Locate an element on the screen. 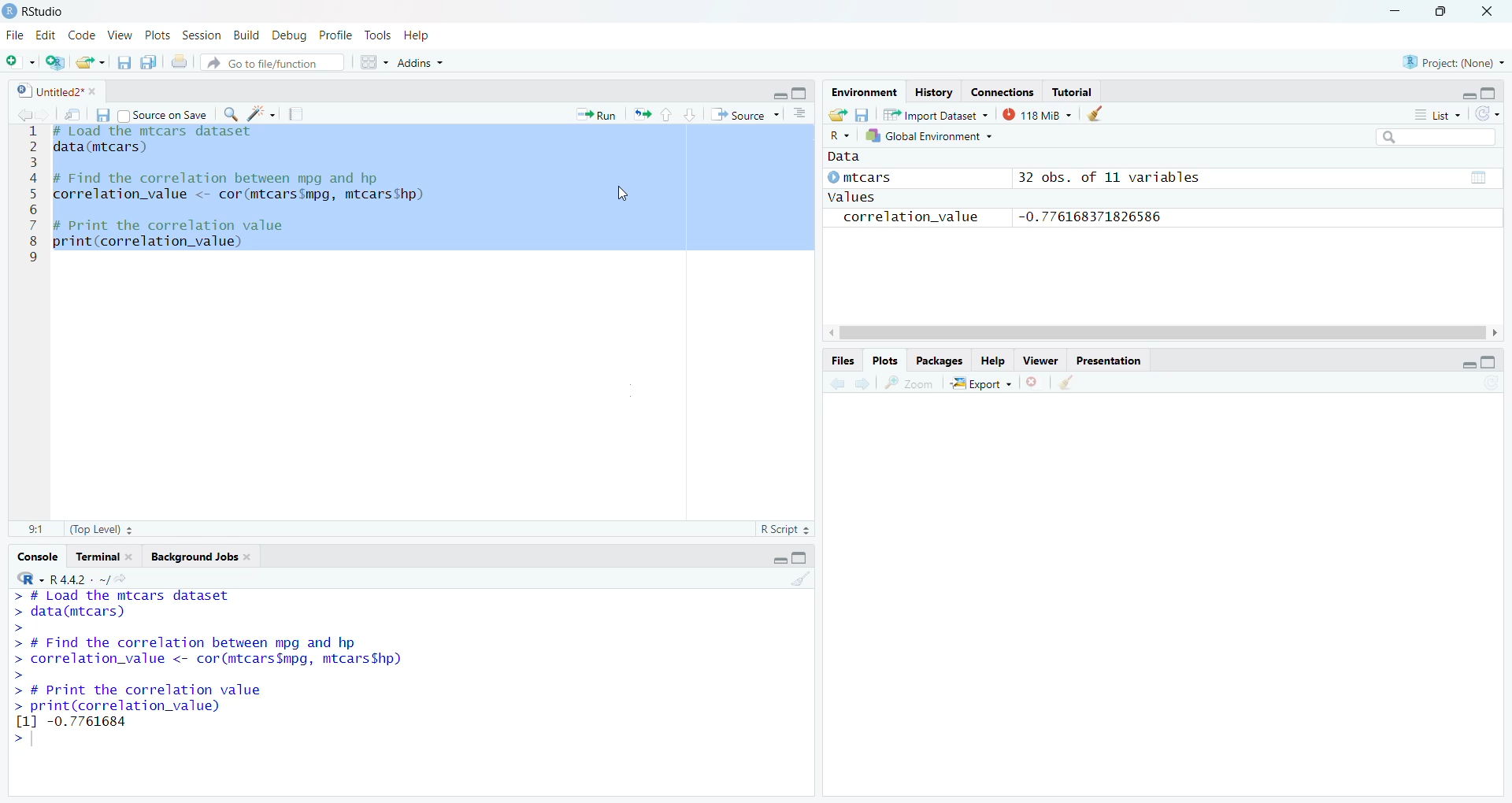 The image size is (1512, 803). Build is located at coordinates (244, 35).